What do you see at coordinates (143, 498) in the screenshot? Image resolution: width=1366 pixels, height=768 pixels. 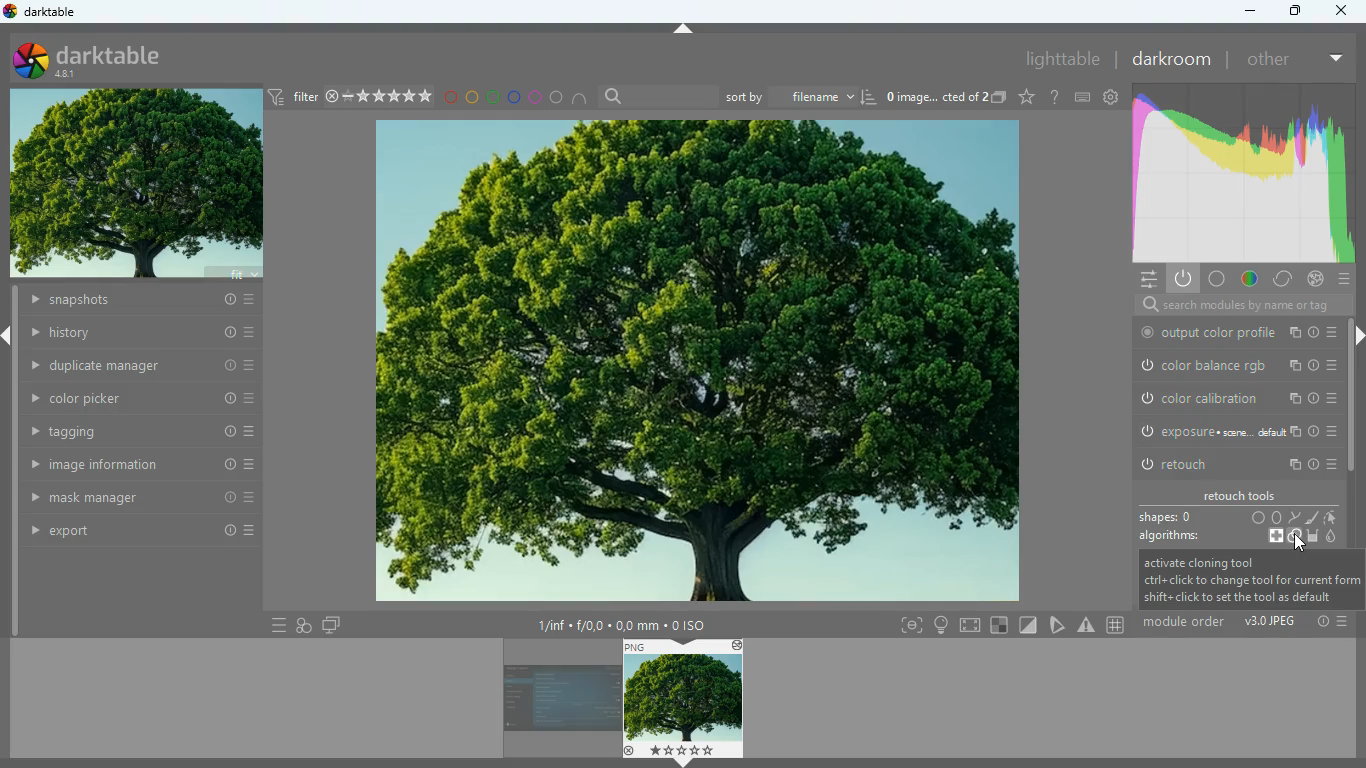 I see `mask manager` at bounding box center [143, 498].